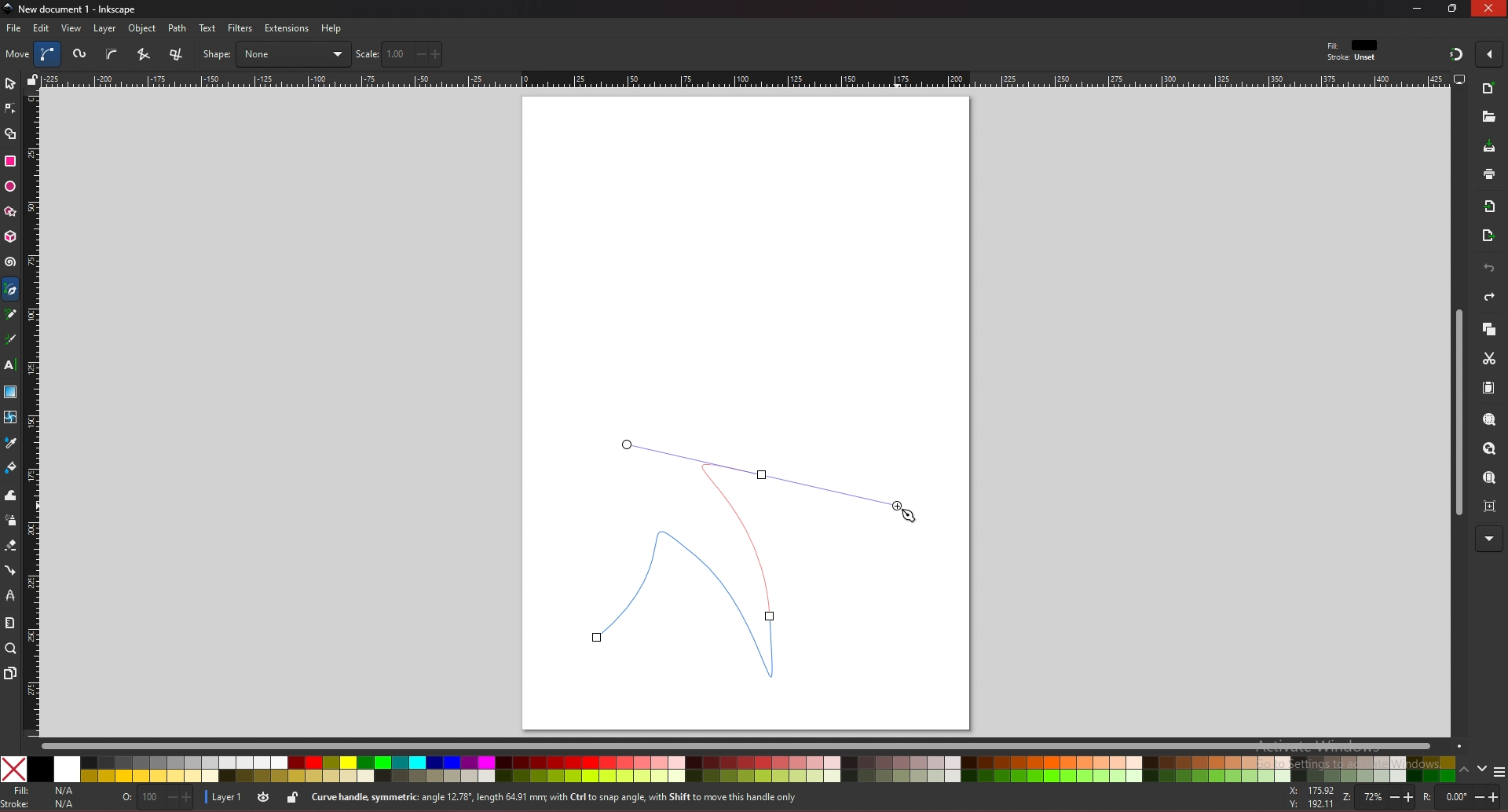  I want to click on undo, so click(1489, 269).